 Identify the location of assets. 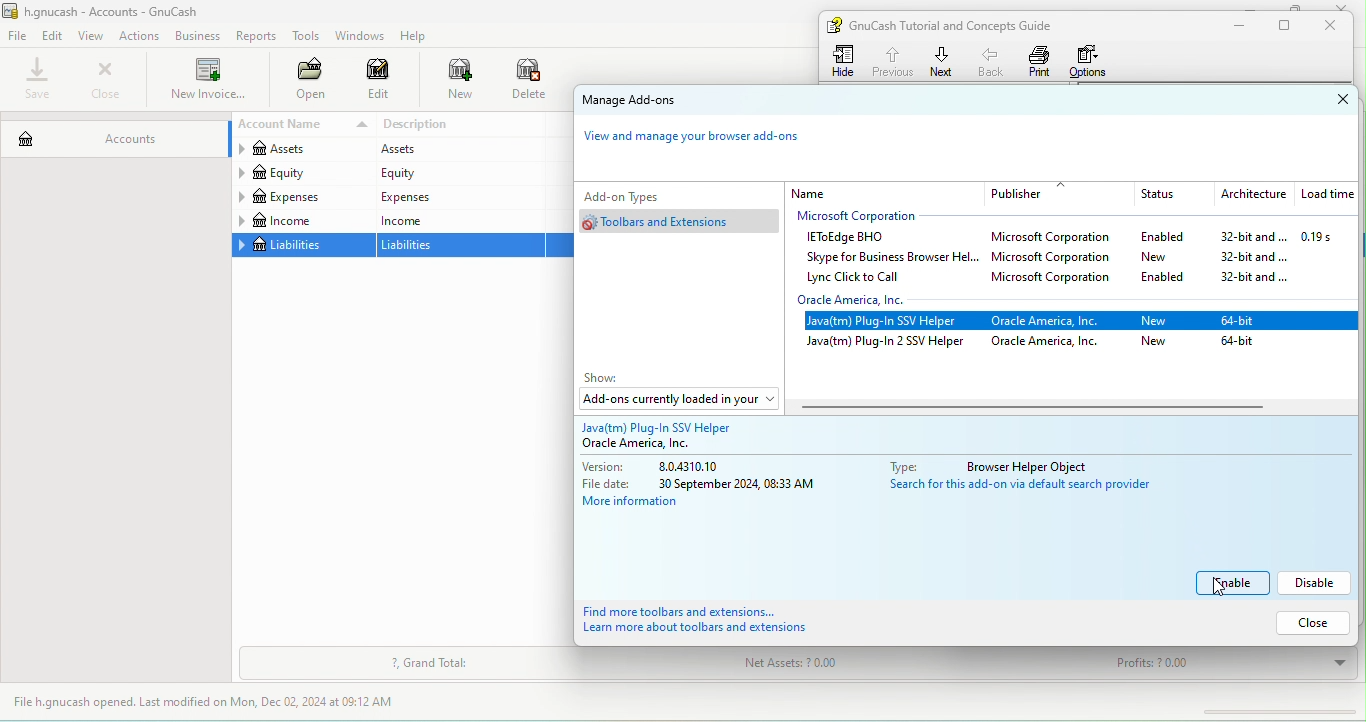
(456, 150).